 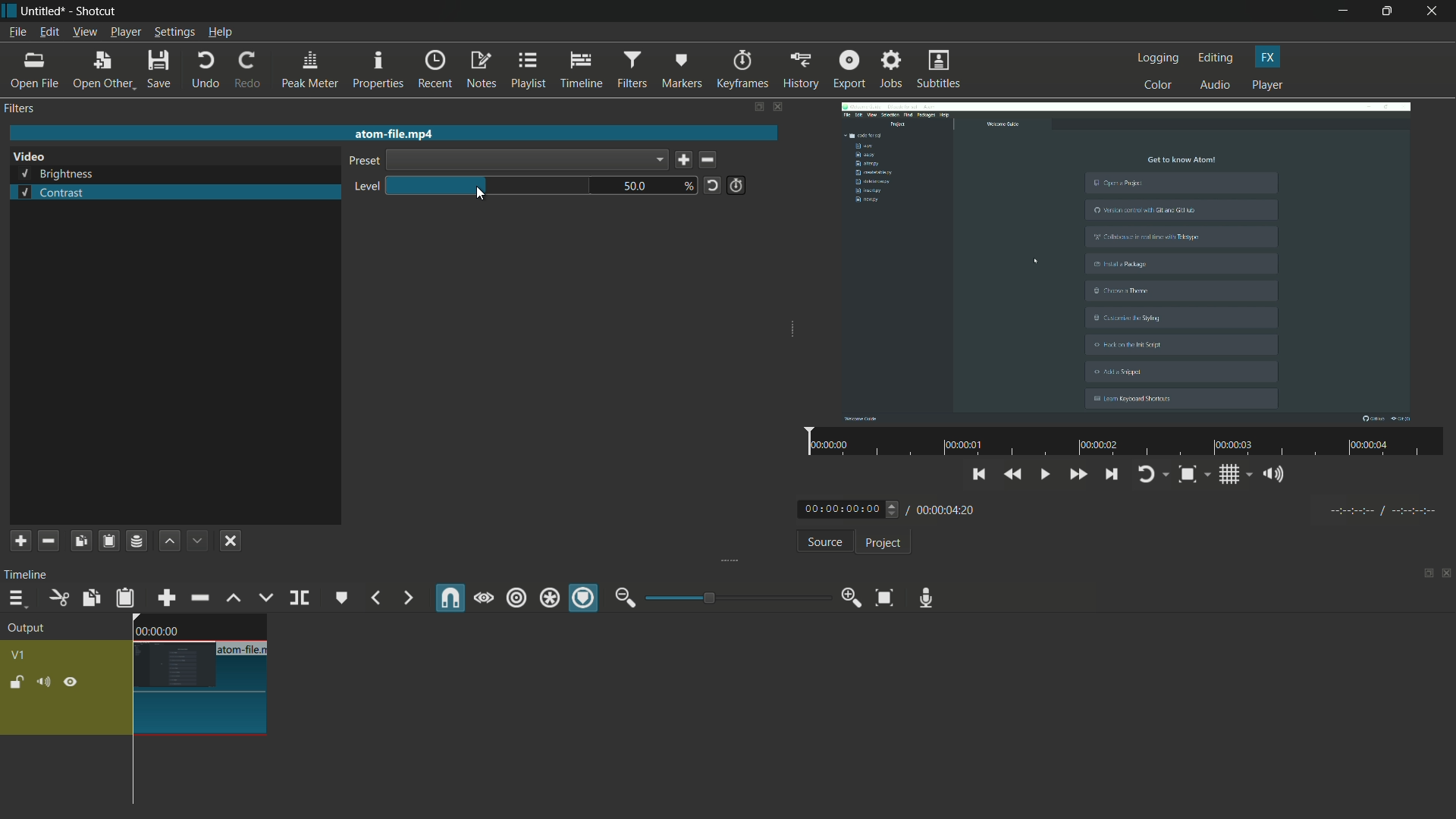 I want to click on logging, so click(x=1159, y=58).